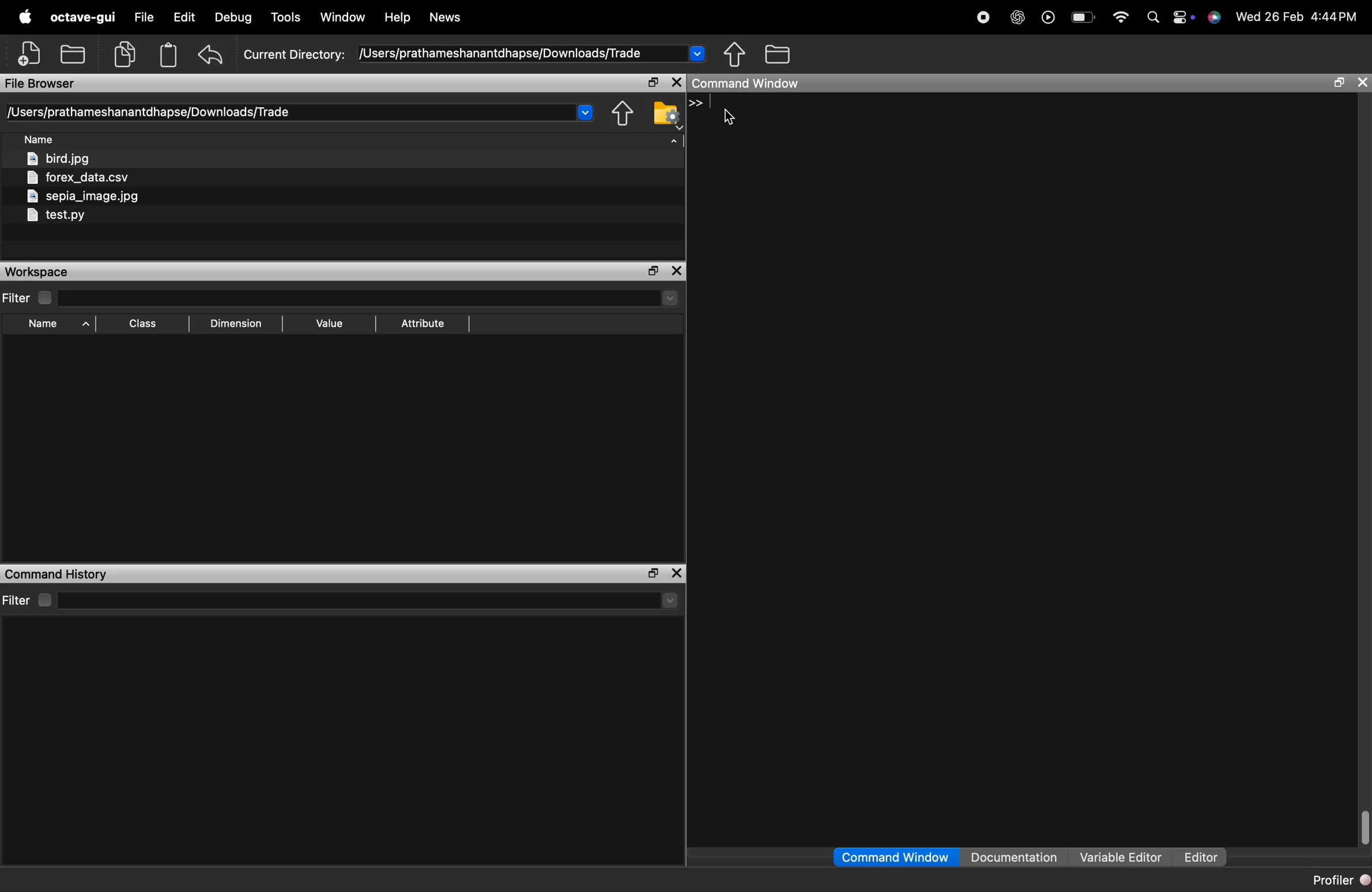 The image size is (1372, 892). I want to click on chatgpt, so click(1018, 19).